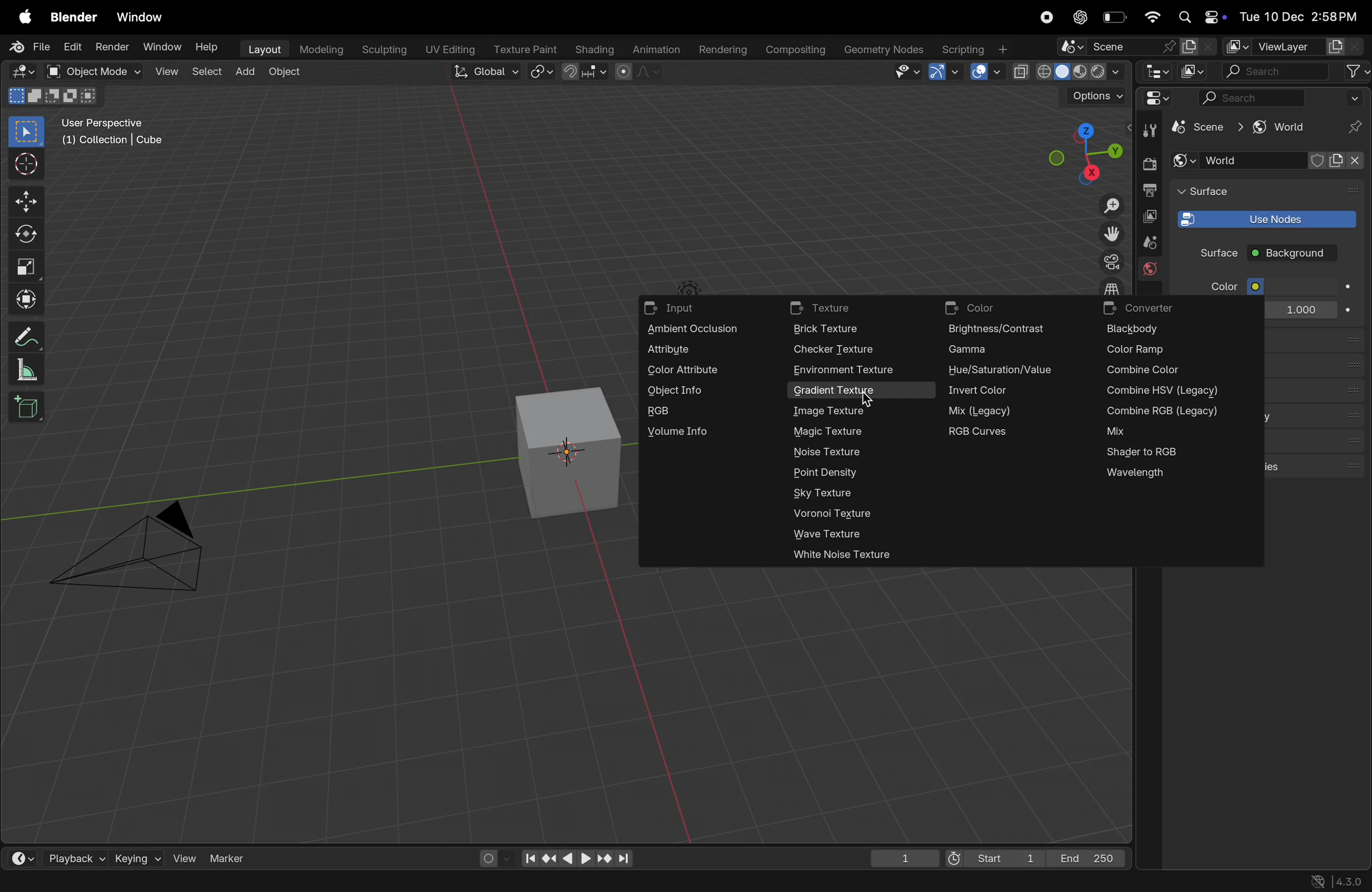  I want to click on Window, so click(158, 48).